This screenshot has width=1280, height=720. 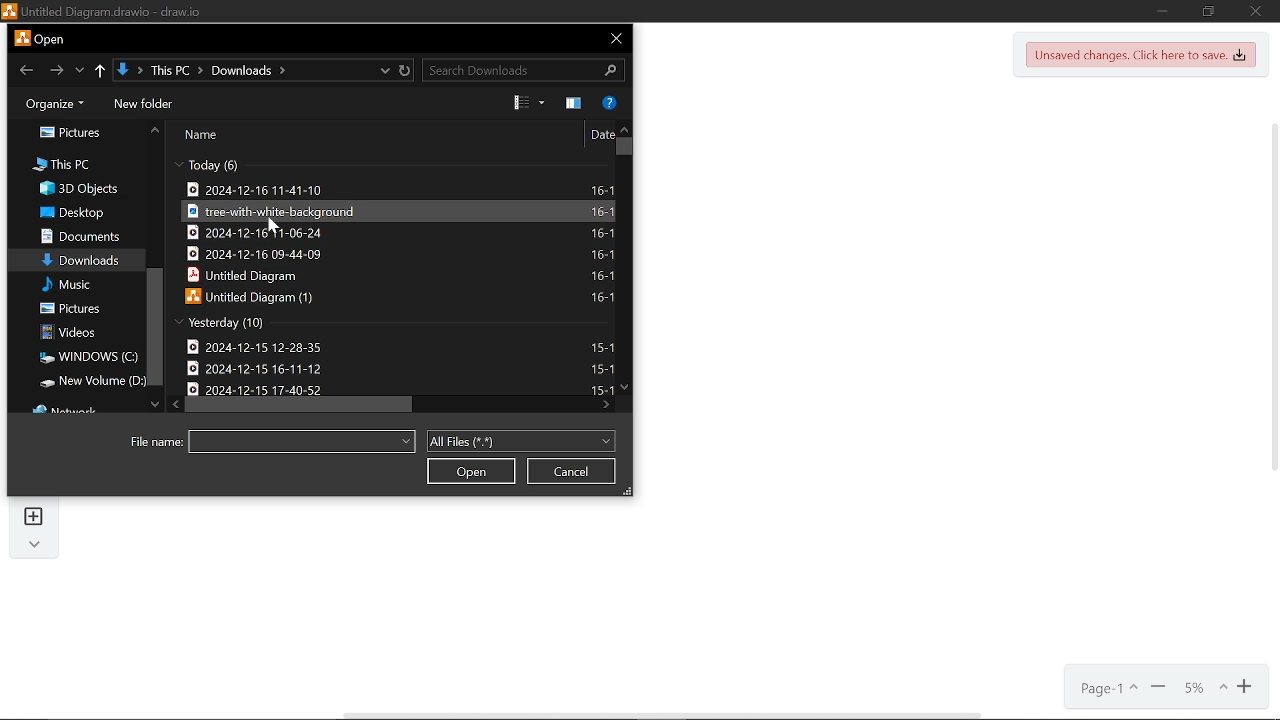 I want to click on cancel, so click(x=571, y=472).